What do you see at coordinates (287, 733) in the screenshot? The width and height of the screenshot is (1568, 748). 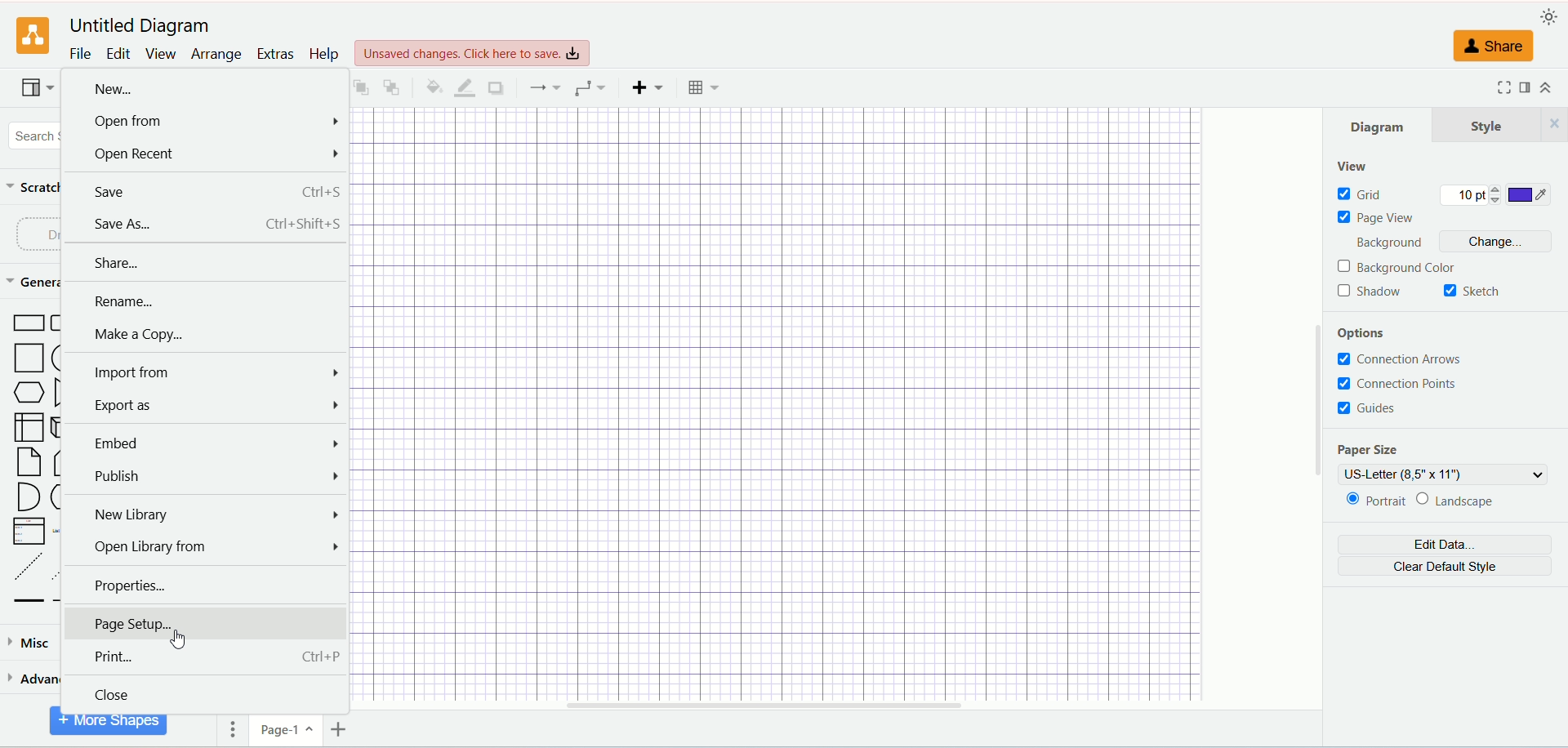 I see `Page 1` at bounding box center [287, 733].